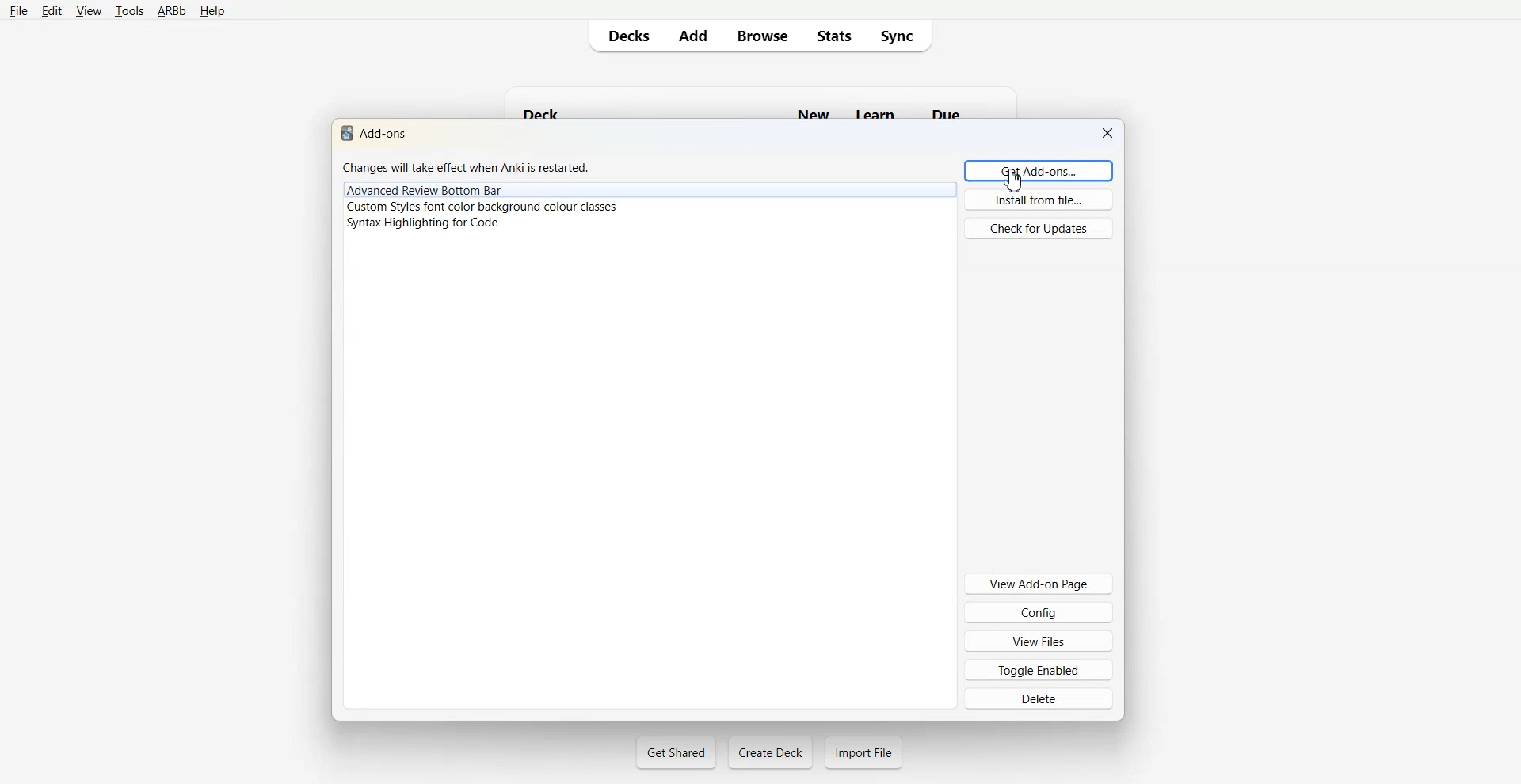  Describe the element at coordinates (863, 752) in the screenshot. I see `Import File` at that location.